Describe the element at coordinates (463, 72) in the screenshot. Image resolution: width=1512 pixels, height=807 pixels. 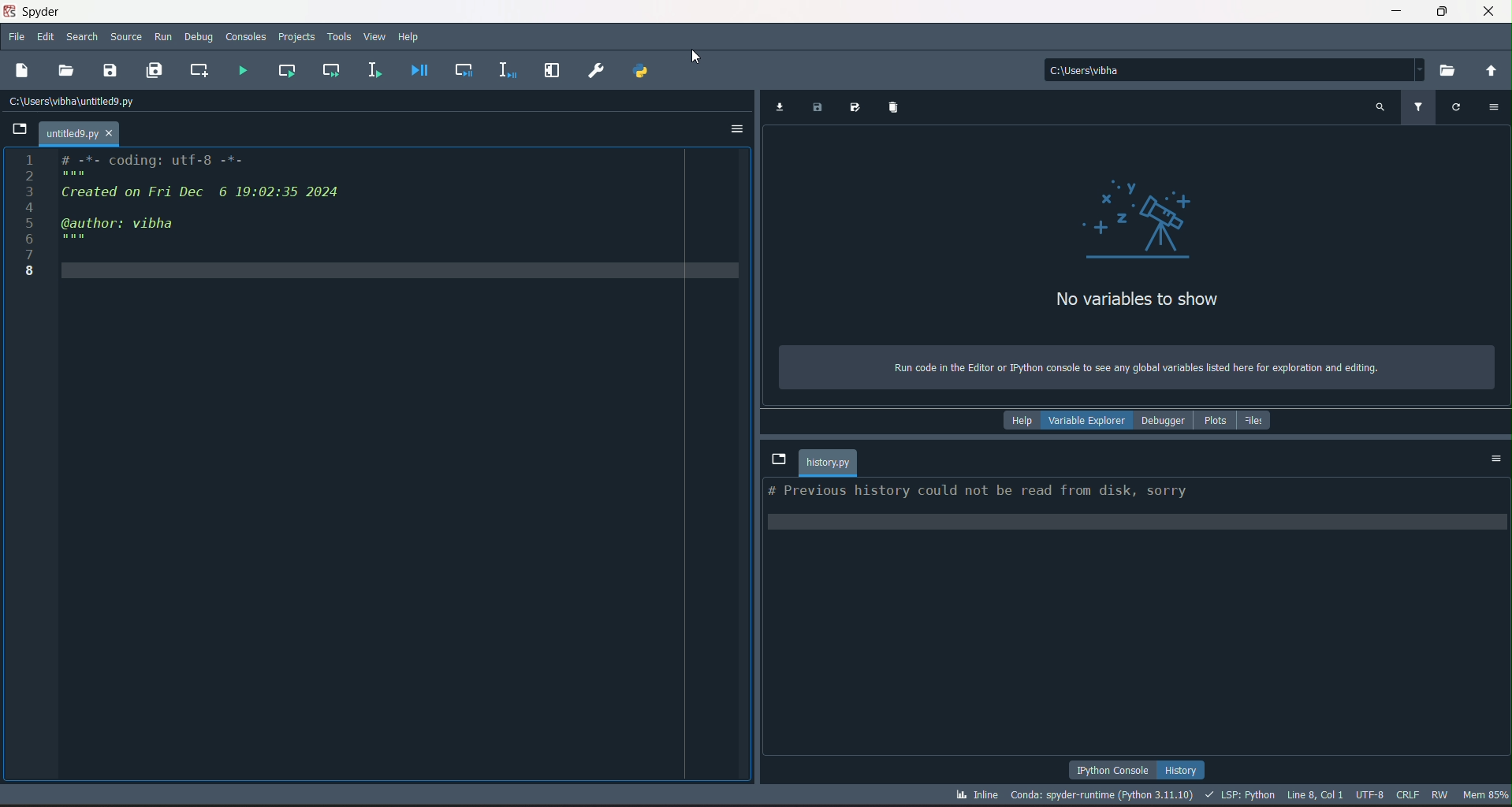
I see `debug cell` at that location.